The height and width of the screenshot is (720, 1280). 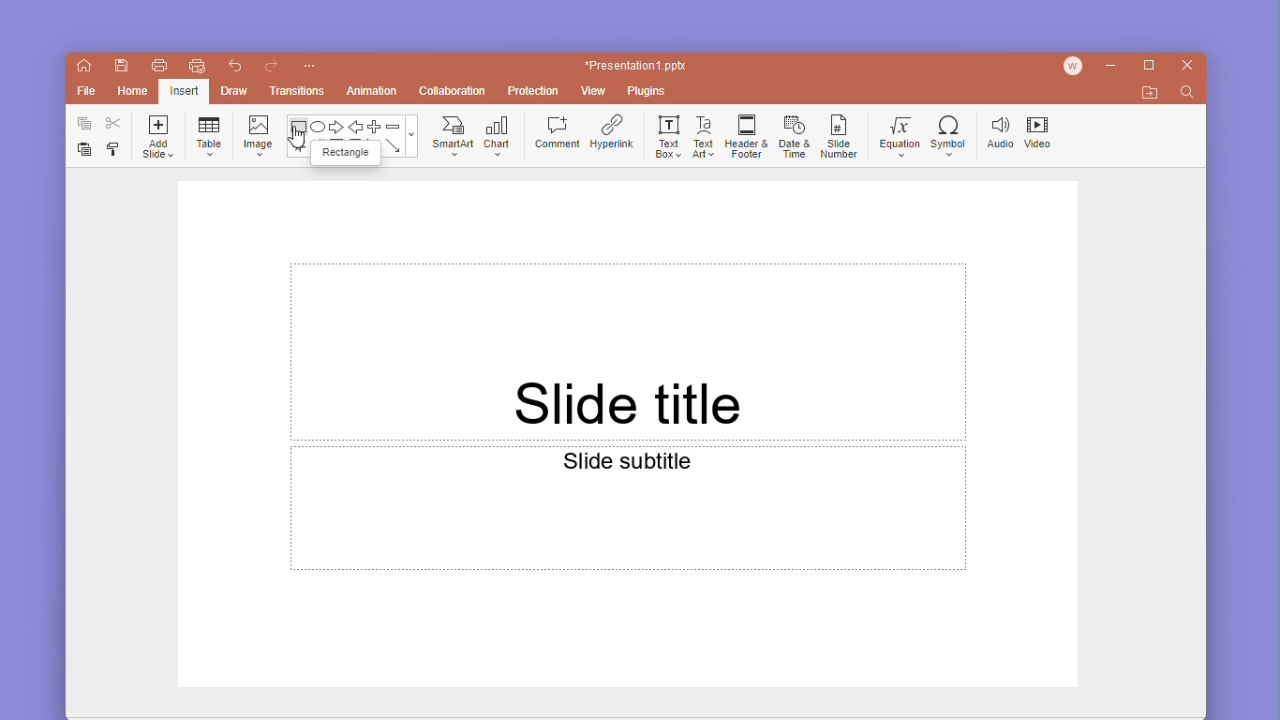 What do you see at coordinates (997, 129) in the screenshot?
I see `audio` at bounding box center [997, 129].